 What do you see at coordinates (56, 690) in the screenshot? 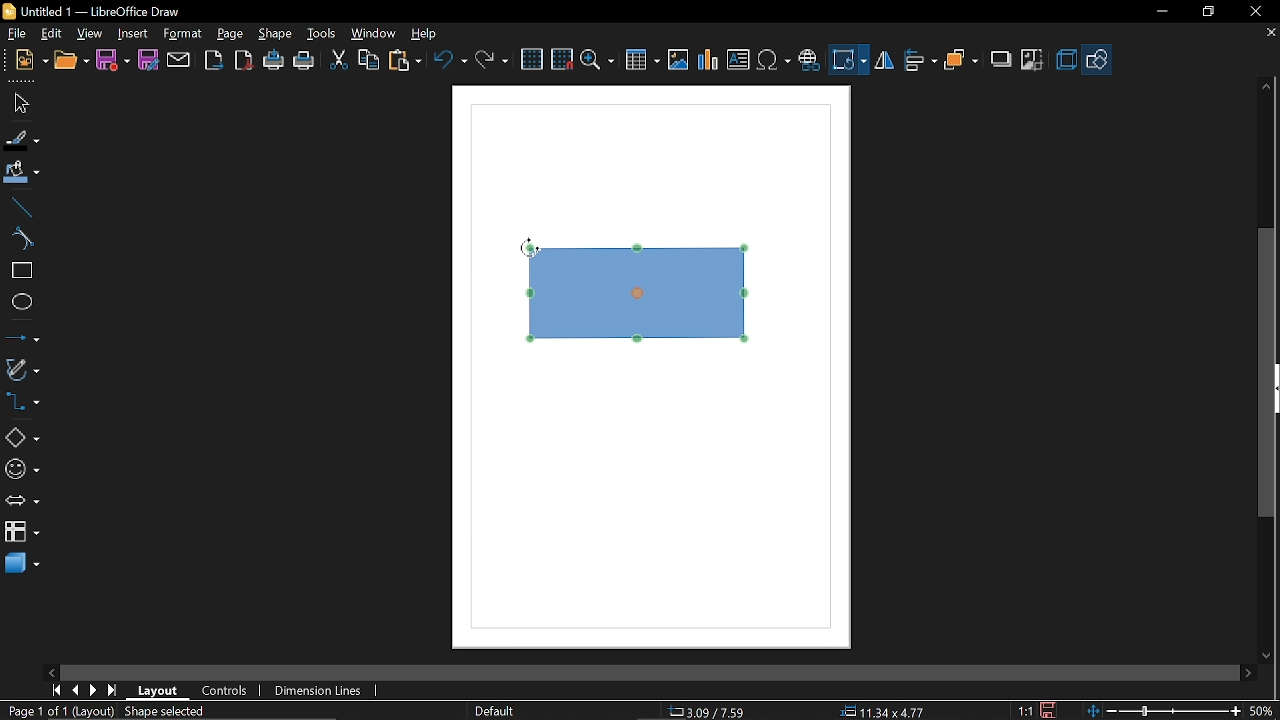
I see `Go to first page ` at bounding box center [56, 690].